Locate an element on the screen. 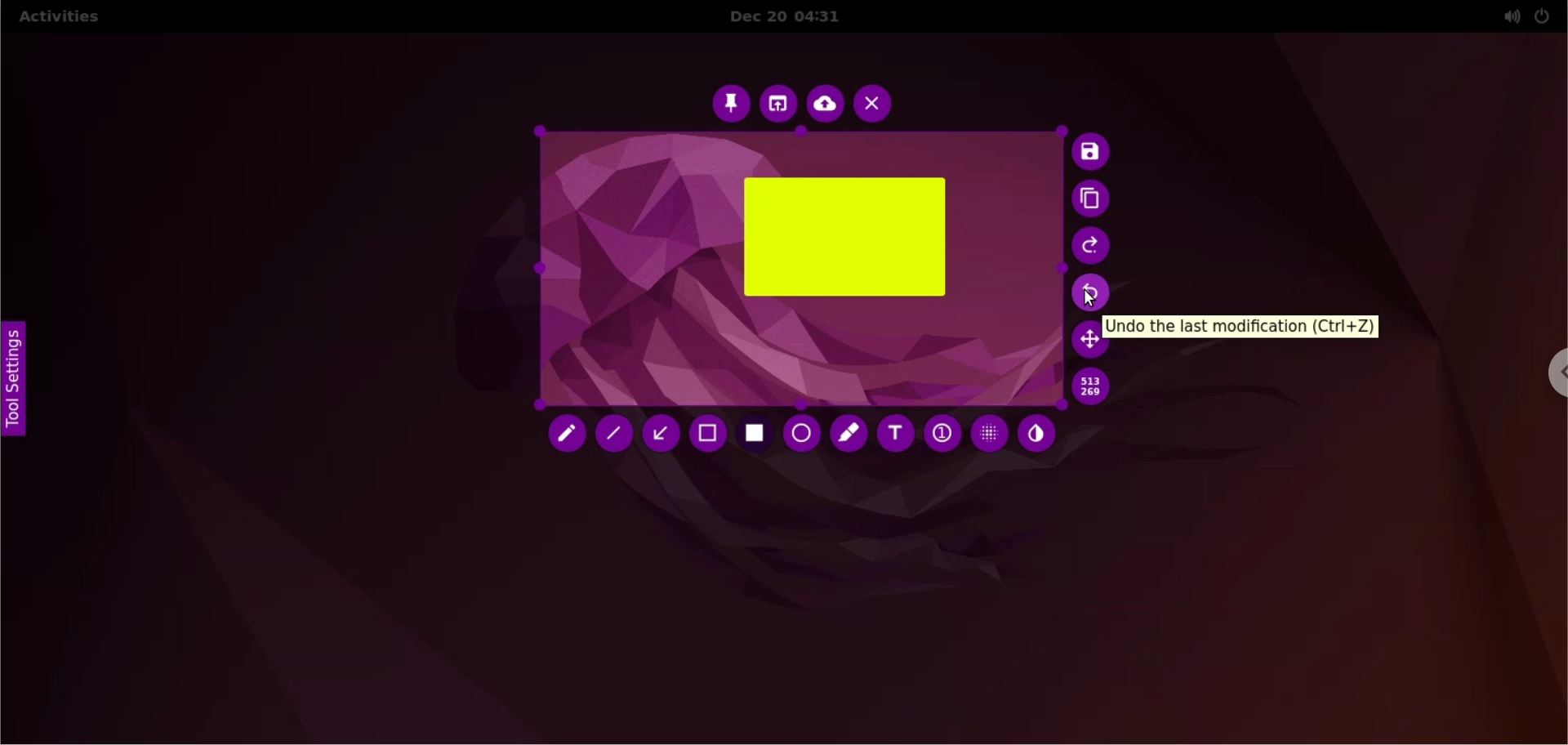 The width and height of the screenshot is (1568, 745). Dec 20 04:31 is located at coordinates (791, 17).